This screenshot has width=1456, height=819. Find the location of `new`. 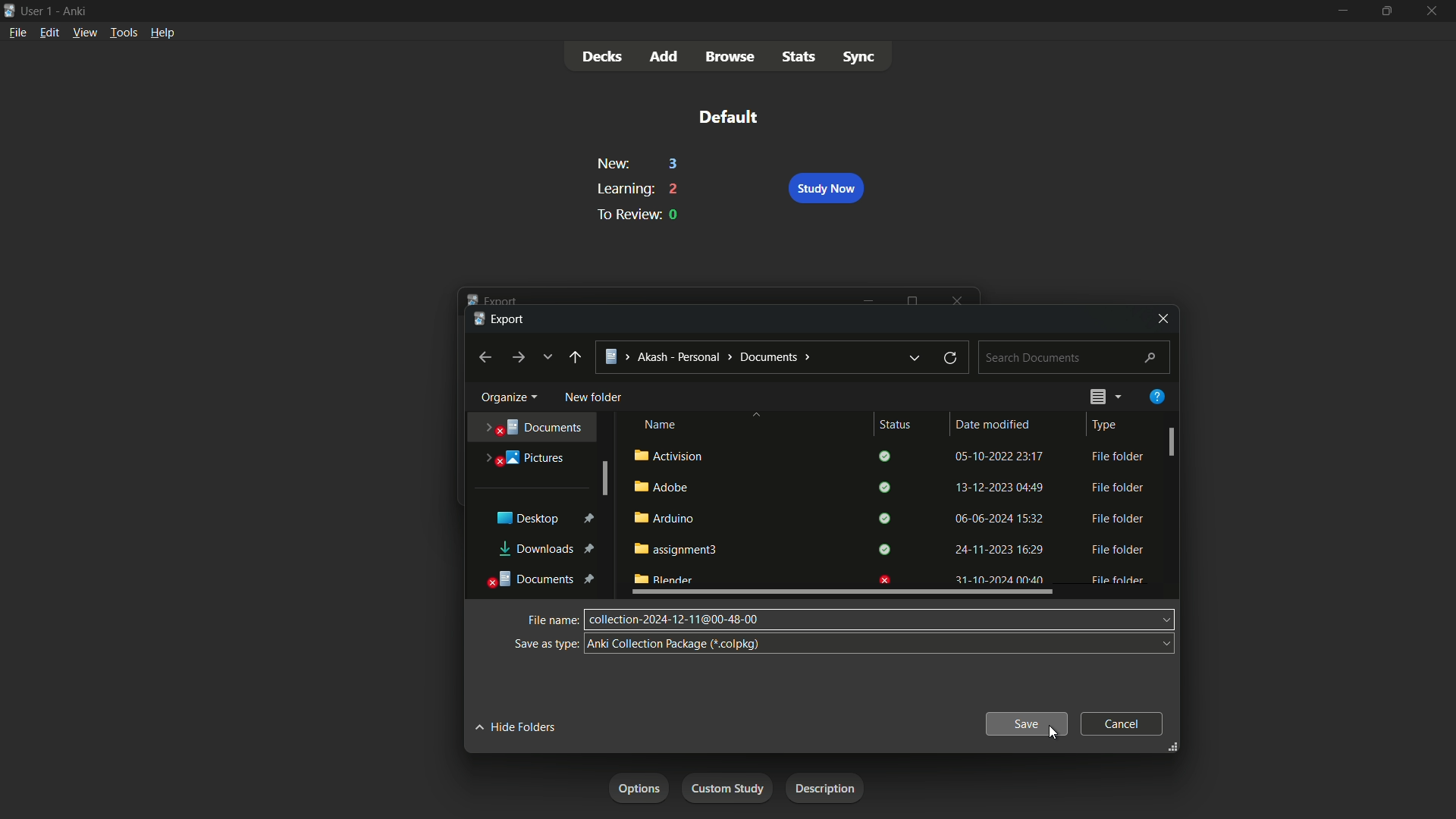

new is located at coordinates (612, 165).